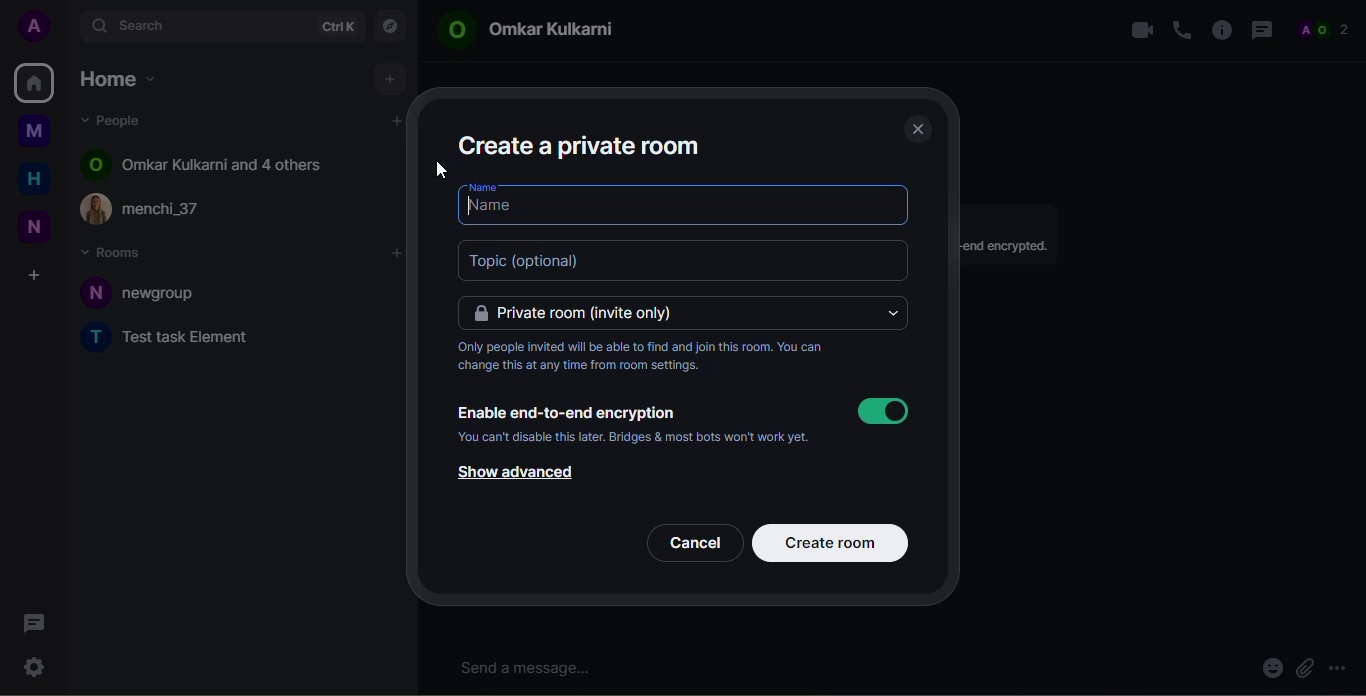 The height and width of the screenshot is (696, 1366). I want to click on people, so click(1325, 28).